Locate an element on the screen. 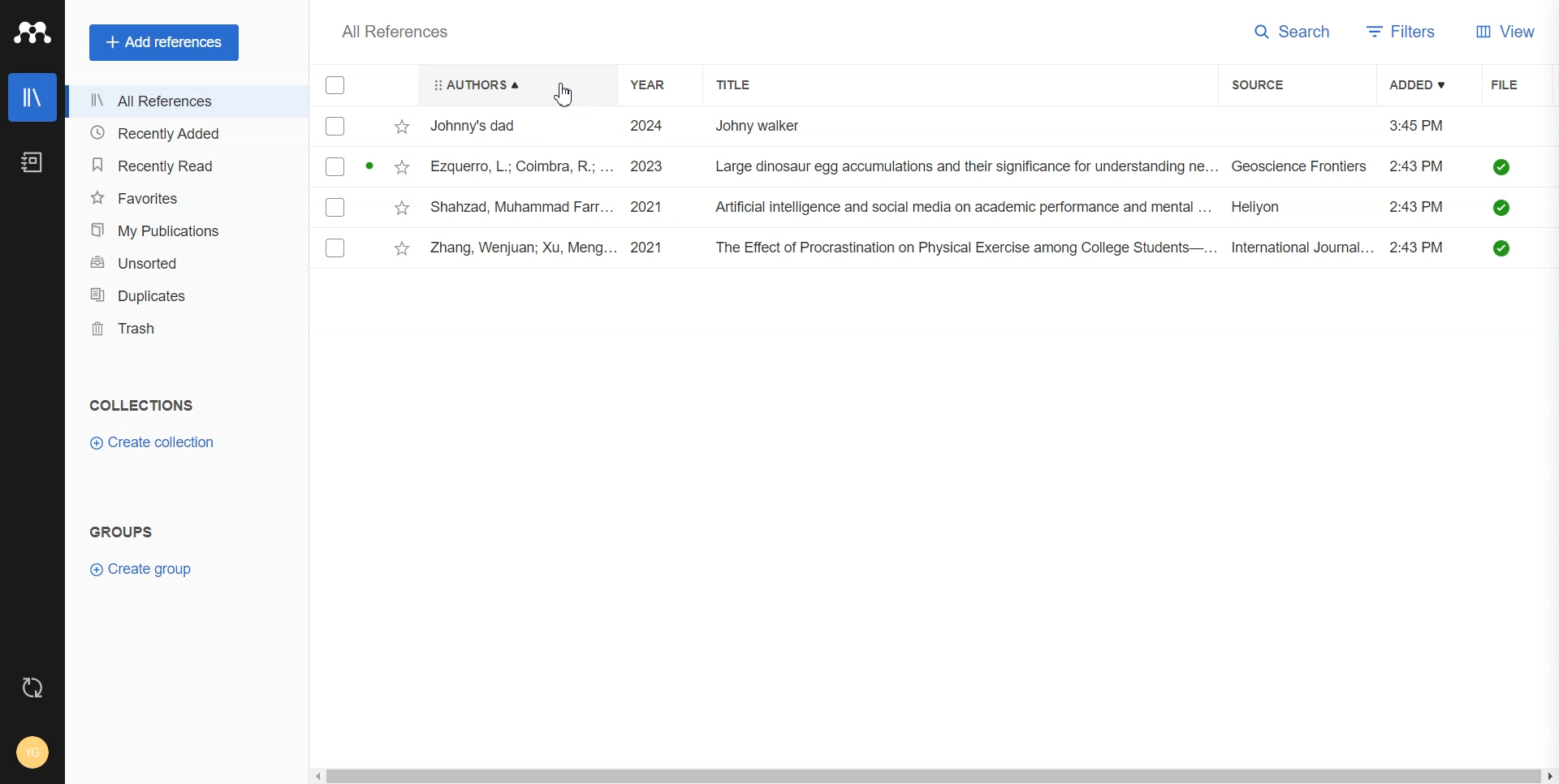 The image size is (1559, 784). Check marks is located at coordinates (336, 86).